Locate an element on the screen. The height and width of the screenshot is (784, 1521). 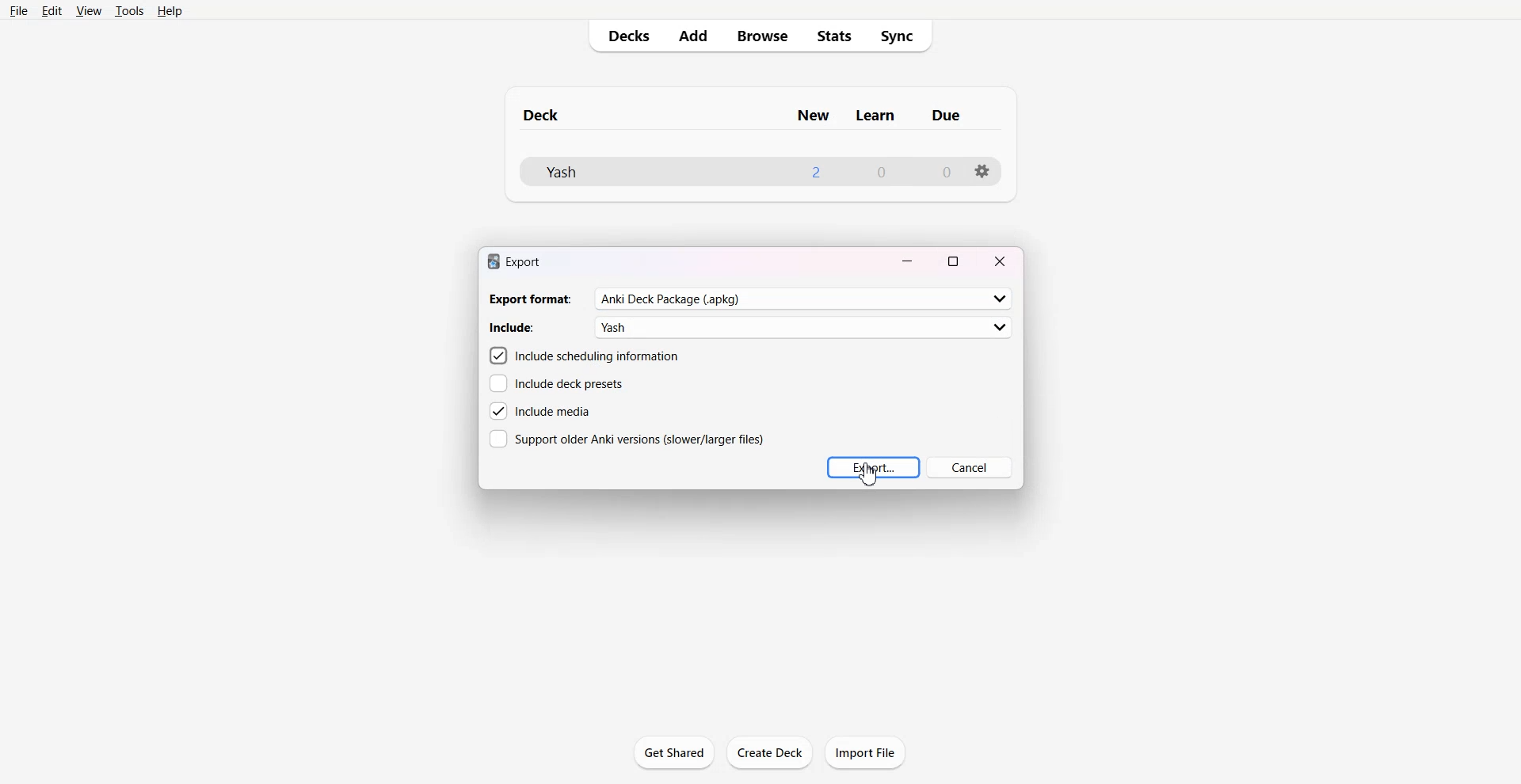
File is located at coordinates (19, 12).